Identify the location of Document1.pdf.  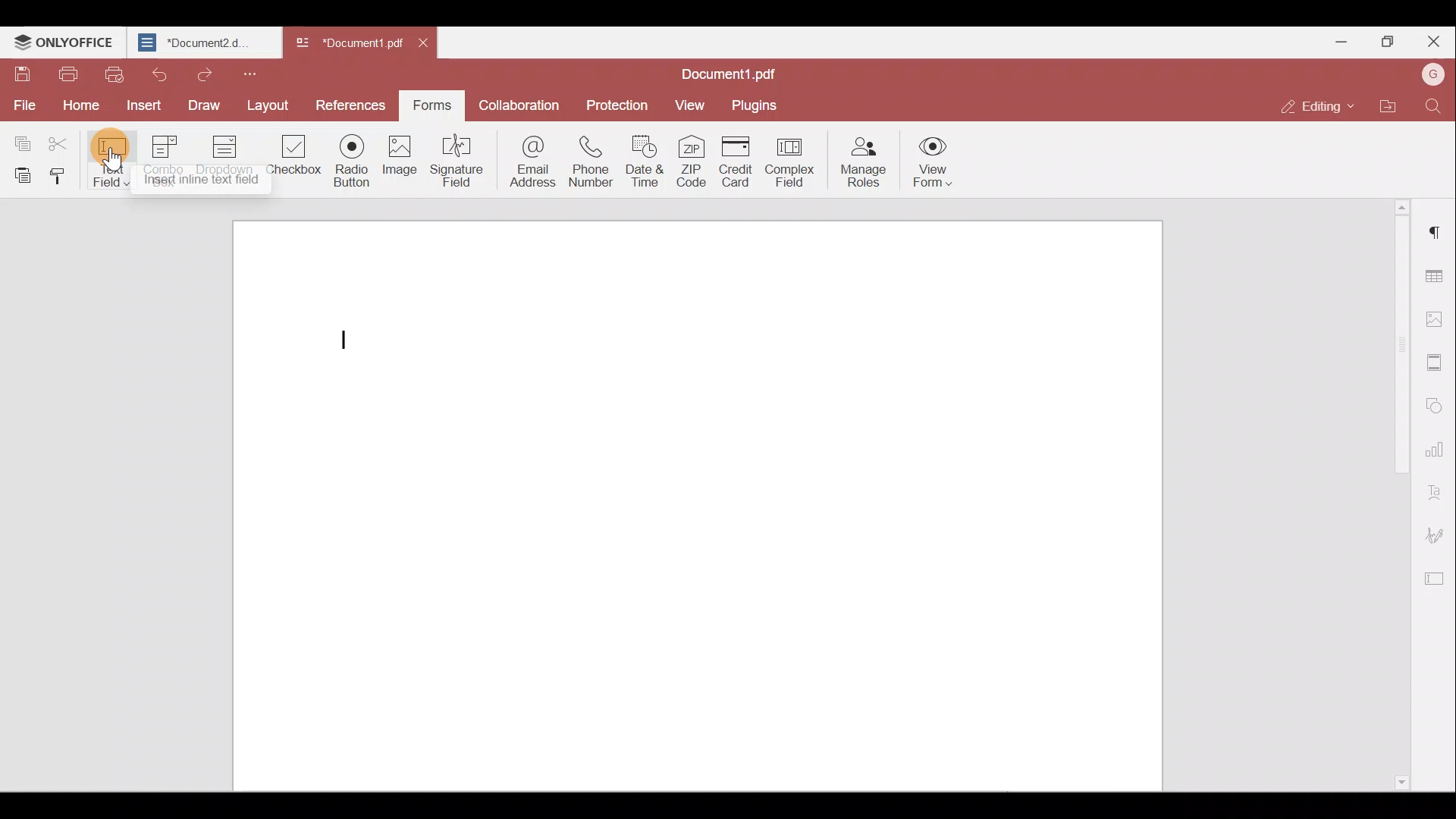
(731, 71).